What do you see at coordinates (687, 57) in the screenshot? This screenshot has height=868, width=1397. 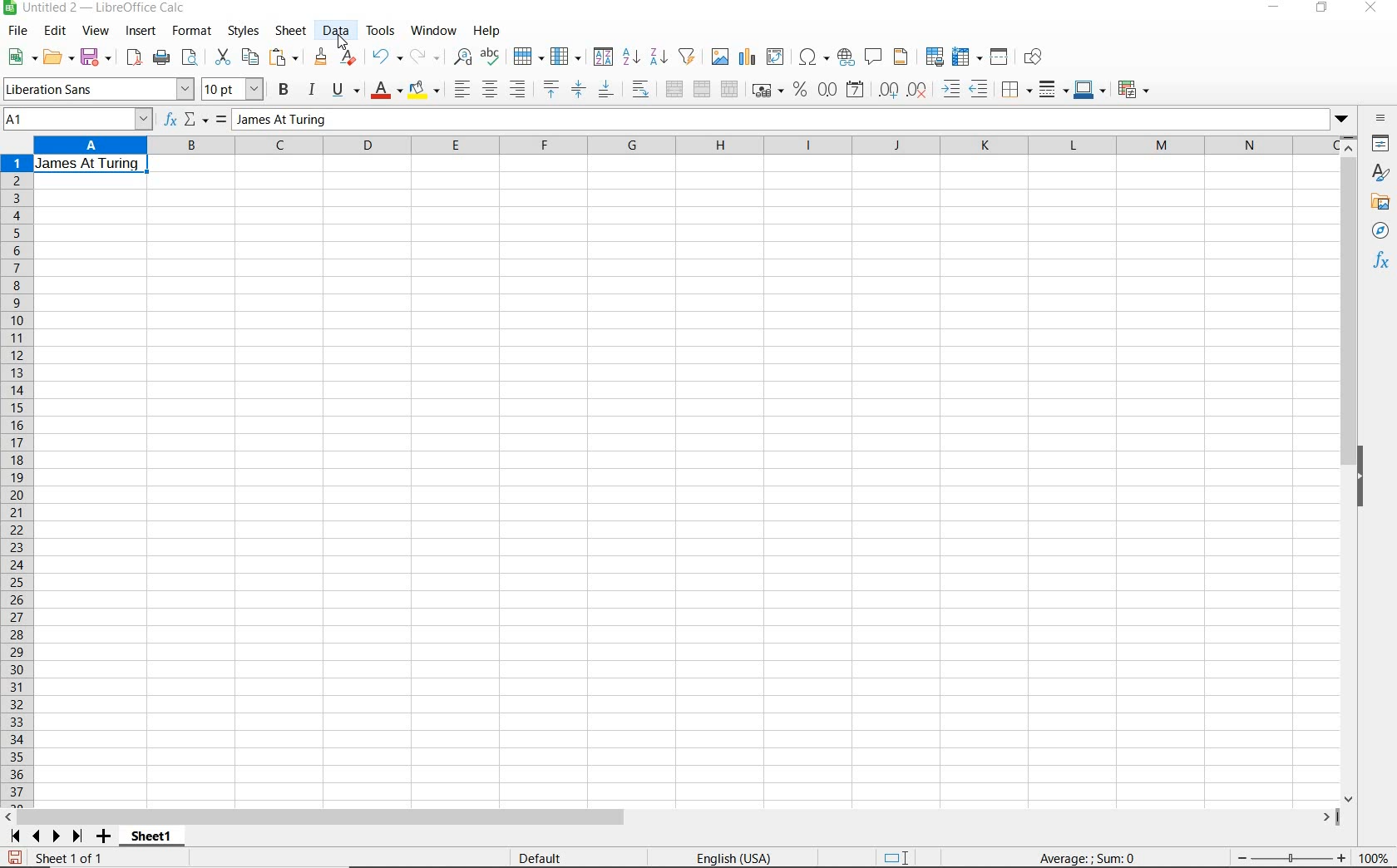 I see `autofilter` at bounding box center [687, 57].